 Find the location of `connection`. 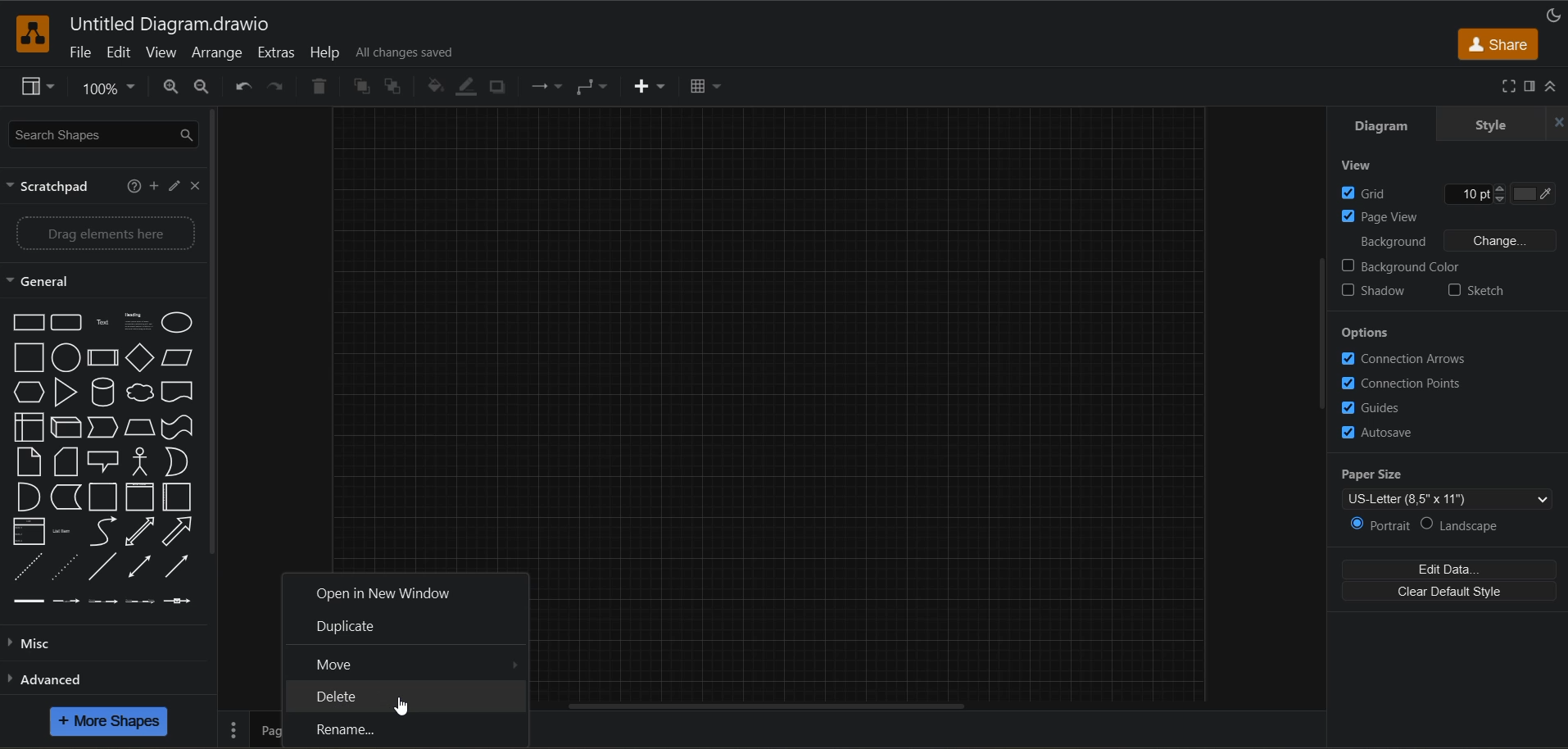

connection is located at coordinates (544, 86).